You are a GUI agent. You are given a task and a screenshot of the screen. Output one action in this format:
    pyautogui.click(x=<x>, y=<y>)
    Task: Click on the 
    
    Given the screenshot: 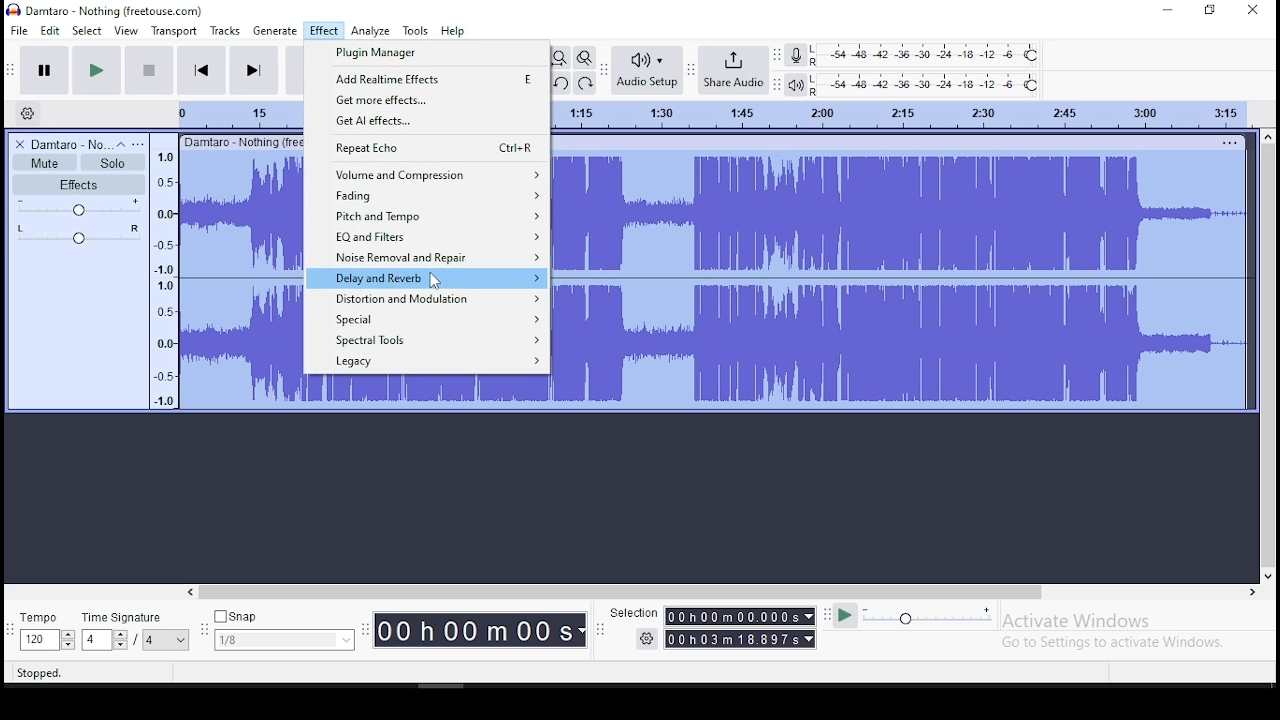 What is the action you would take?
    pyautogui.click(x=604, y=69)
    